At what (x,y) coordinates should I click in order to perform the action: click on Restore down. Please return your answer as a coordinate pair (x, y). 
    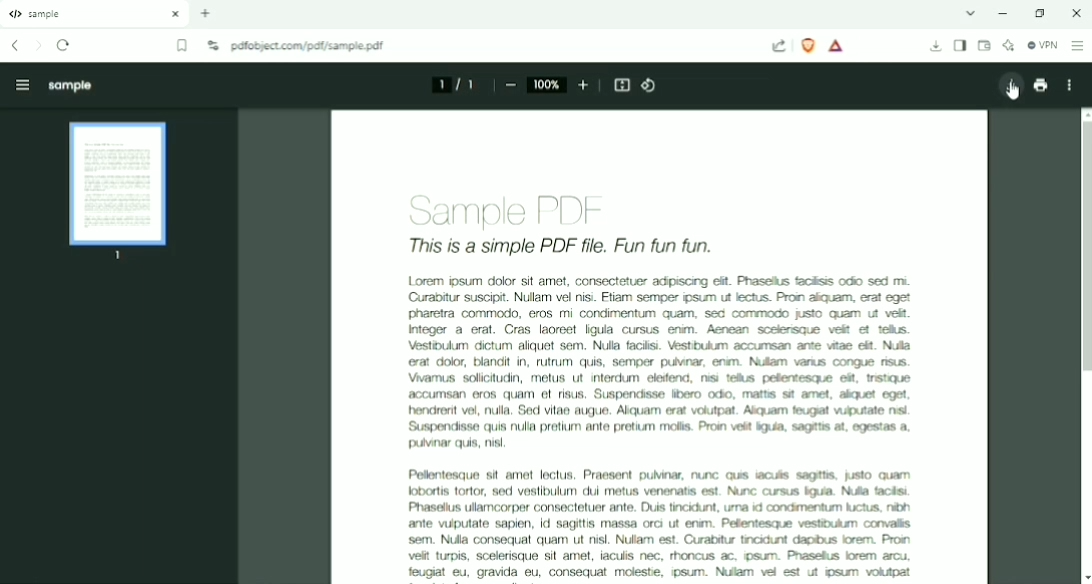
    Looking at the image, I should click on (1040, 13).